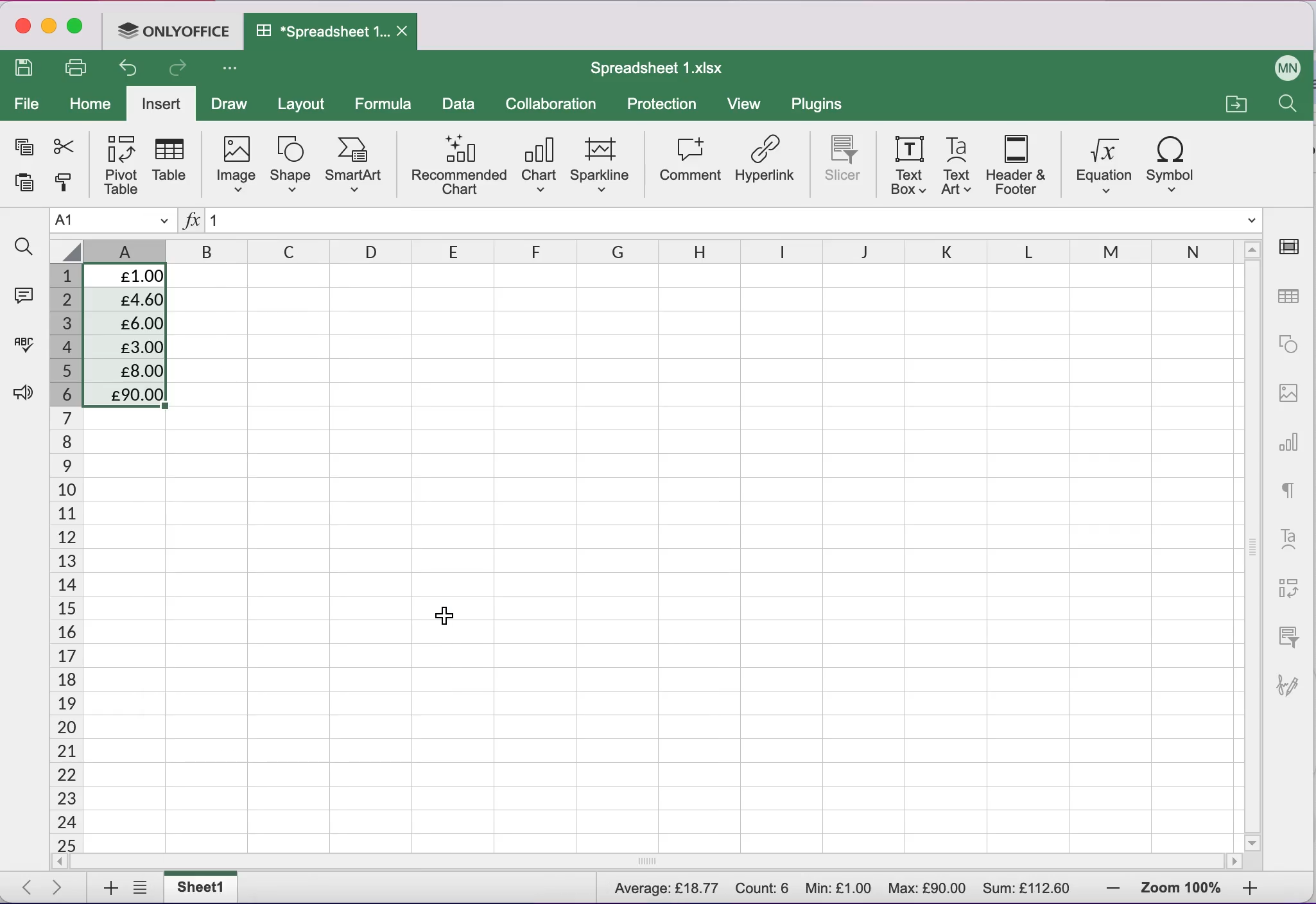 This screenshot has height=904, width=1316. Describe the element at coordinates (23, 69) in the screenshot. I see `save` at that location.